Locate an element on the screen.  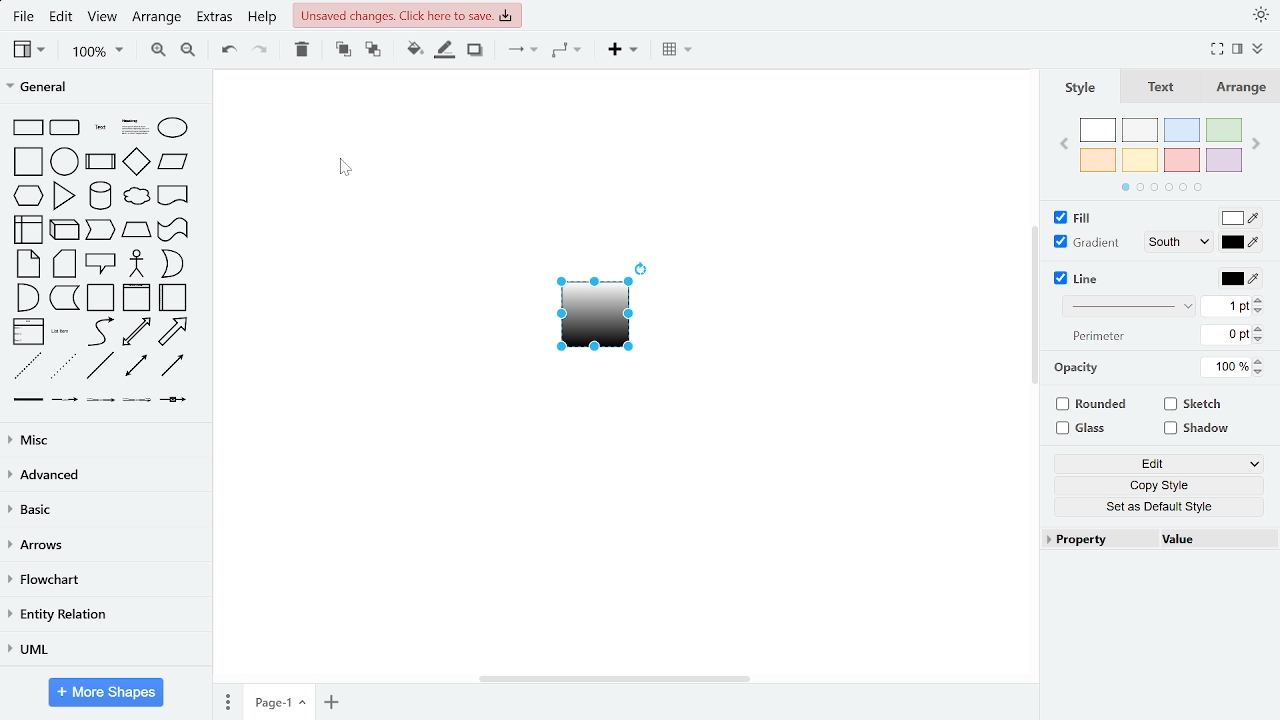
fill style is located at coordinates (1178, 219).